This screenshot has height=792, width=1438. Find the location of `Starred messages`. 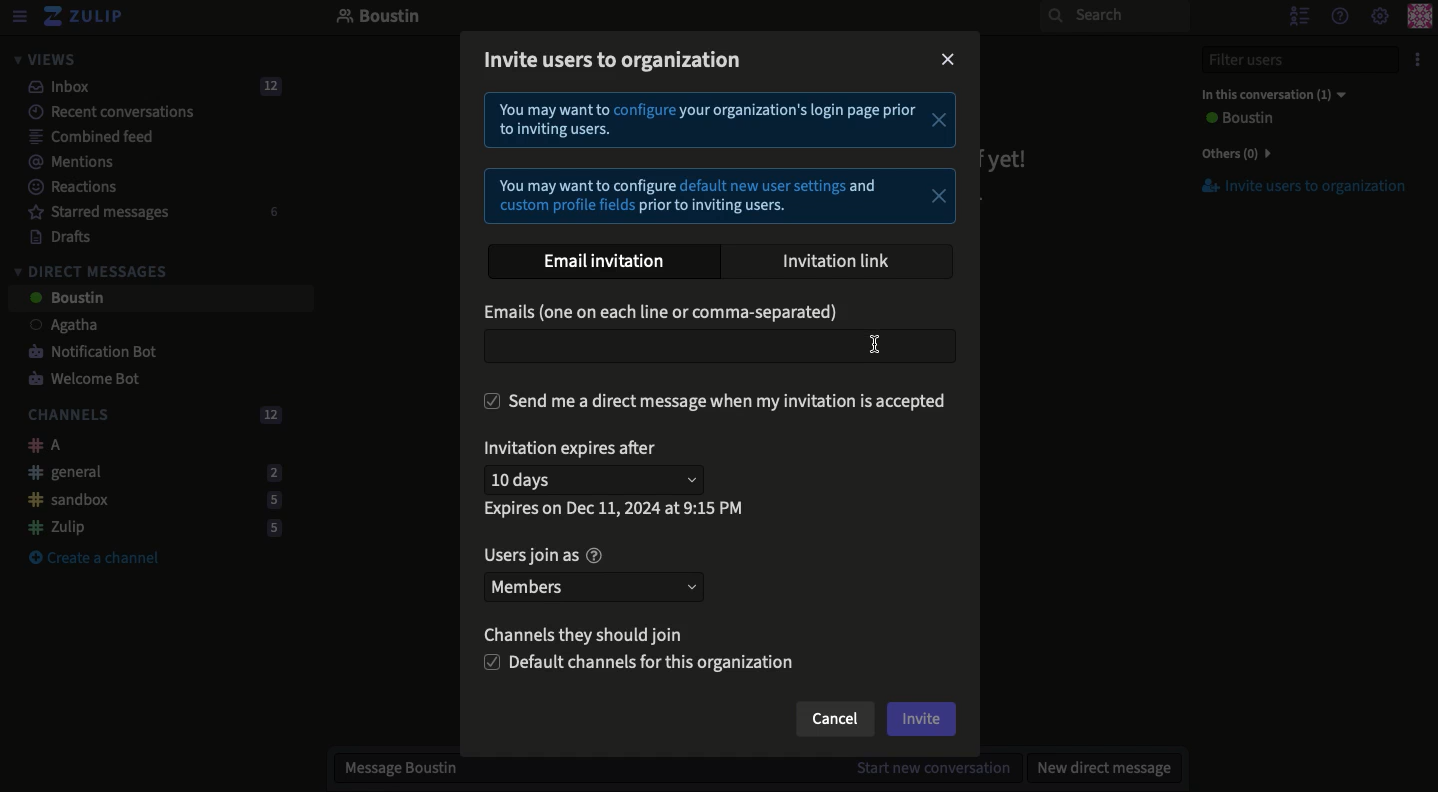

Starred messages is located at coordinates (150, 212).